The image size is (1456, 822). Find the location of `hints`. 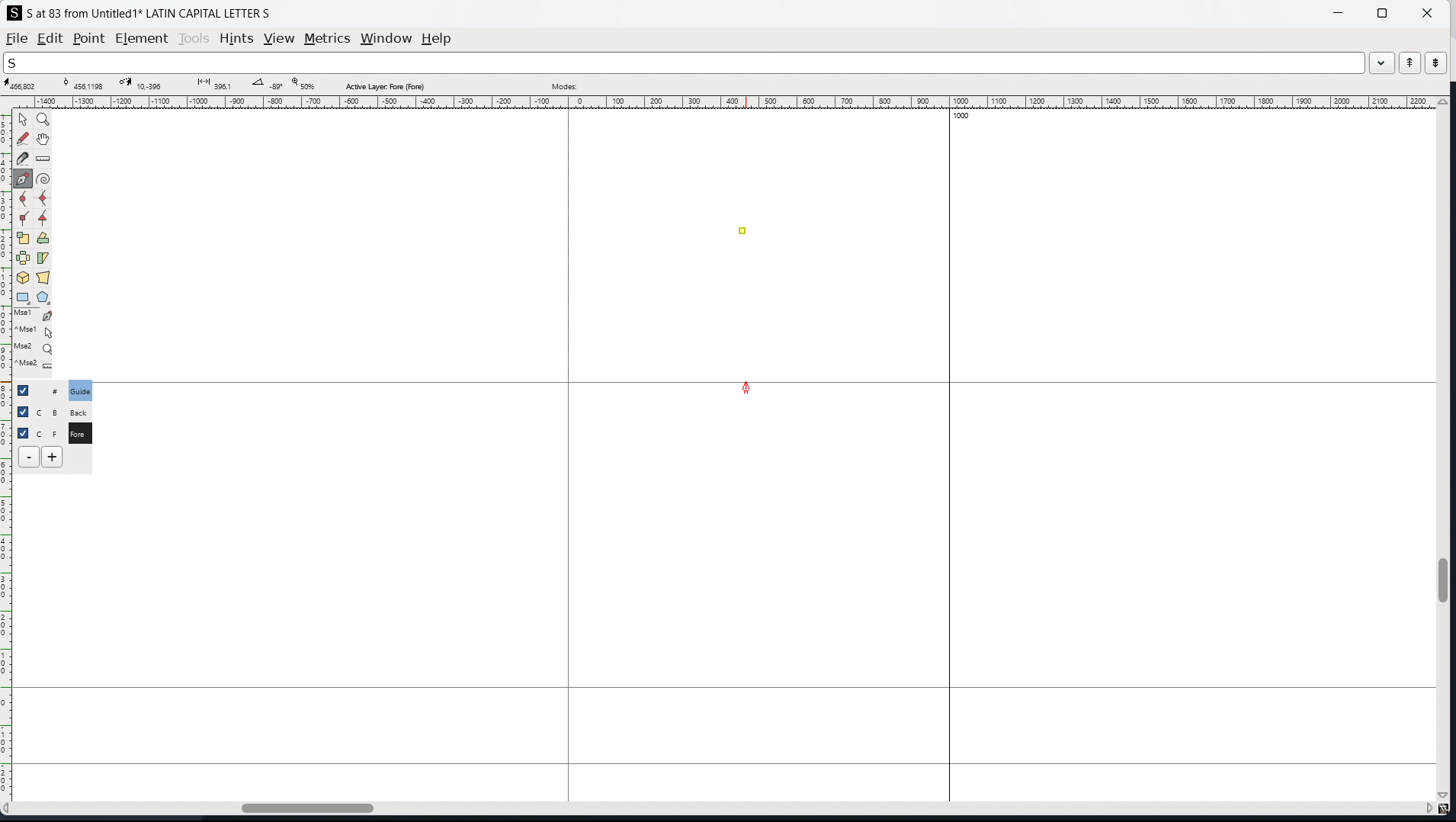

hints is located at coordinates (237, 39).